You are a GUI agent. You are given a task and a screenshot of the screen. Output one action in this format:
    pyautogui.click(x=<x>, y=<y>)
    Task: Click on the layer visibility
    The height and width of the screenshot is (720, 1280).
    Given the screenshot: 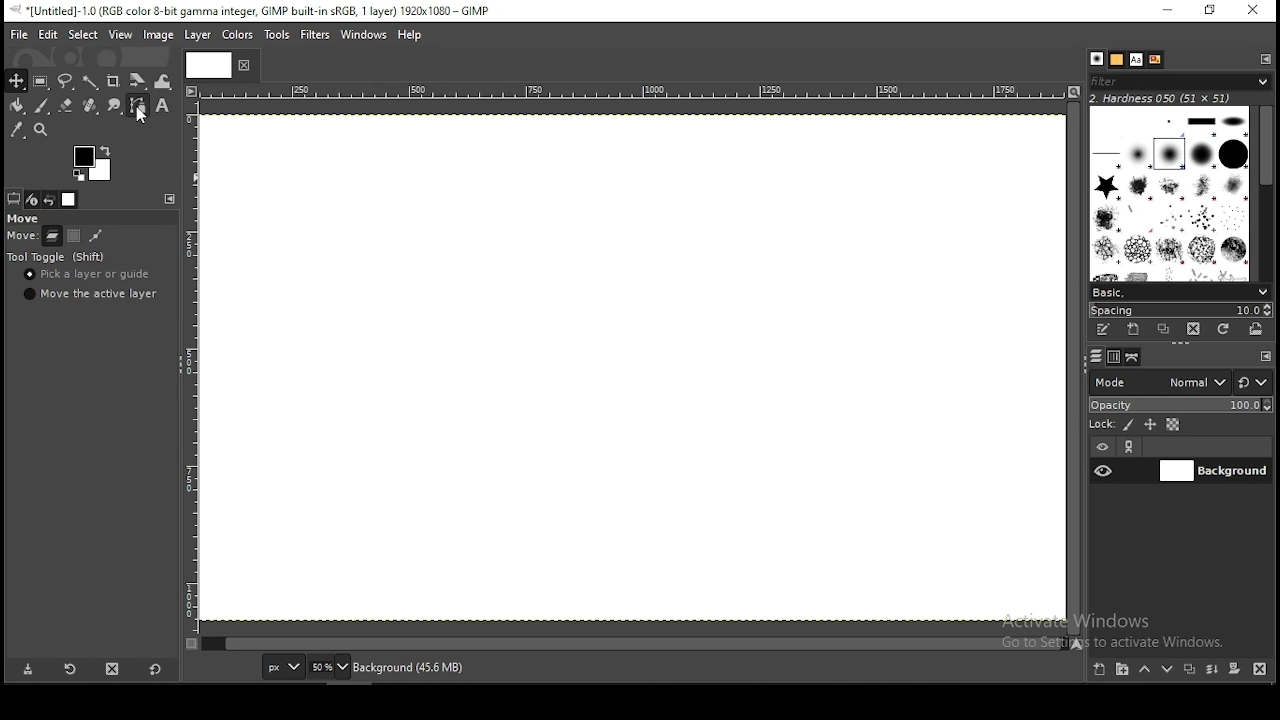 What is the action you would take?
    pyautogui.click(x=1103, y=446)
    